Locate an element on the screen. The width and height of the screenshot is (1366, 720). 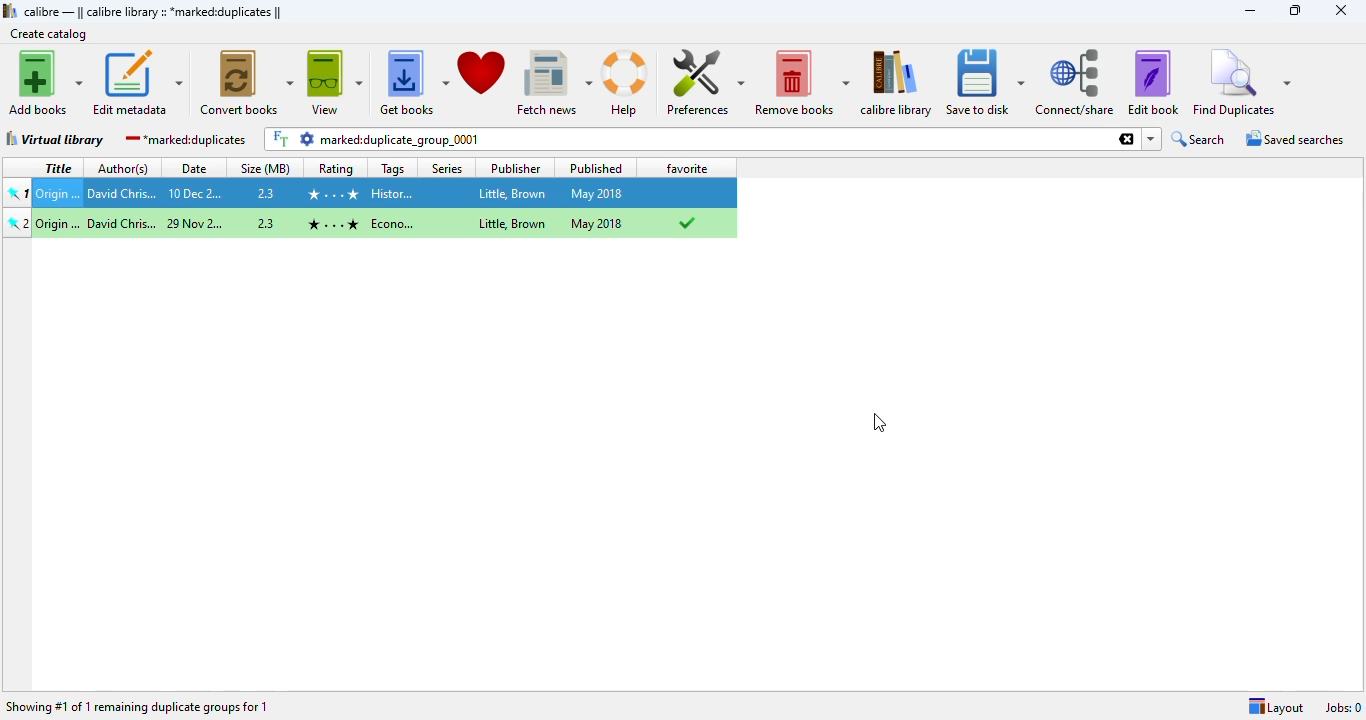
fetch news is located at coordinates (556, 83).